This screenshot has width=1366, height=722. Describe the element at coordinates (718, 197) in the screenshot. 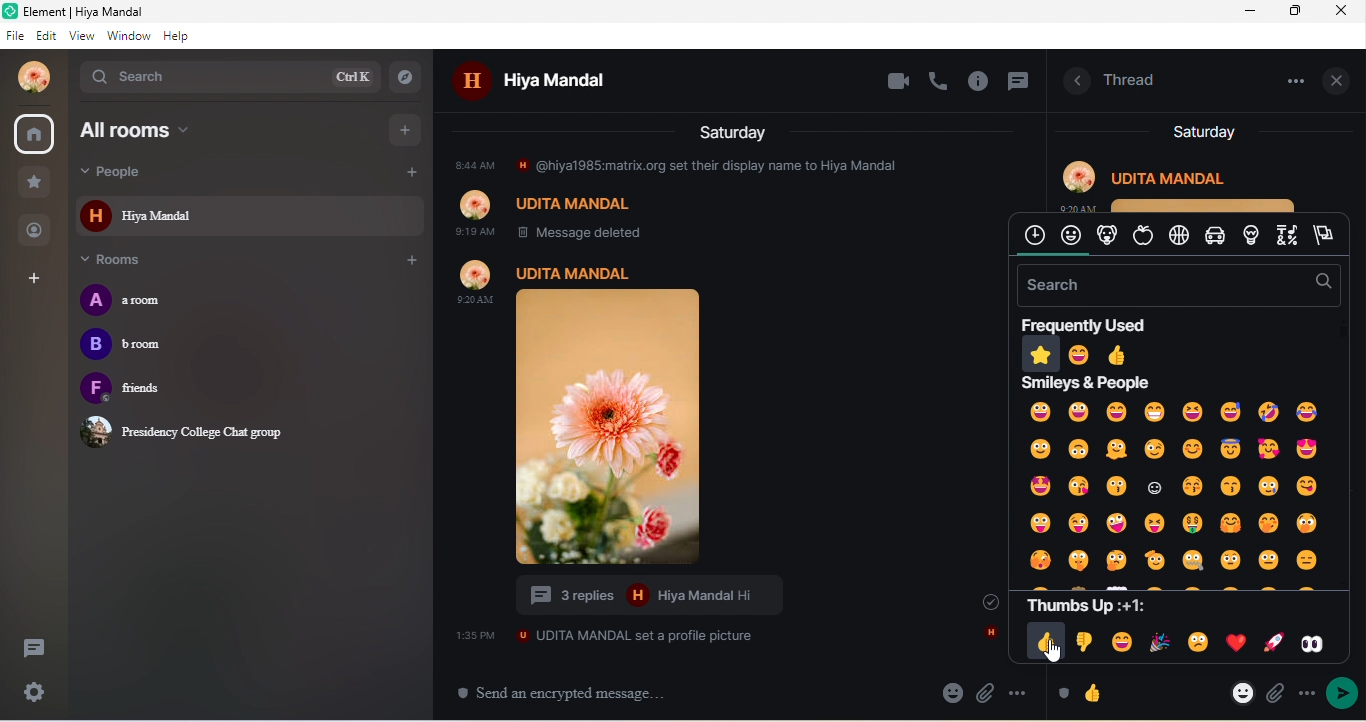

I see `older message` at that location.